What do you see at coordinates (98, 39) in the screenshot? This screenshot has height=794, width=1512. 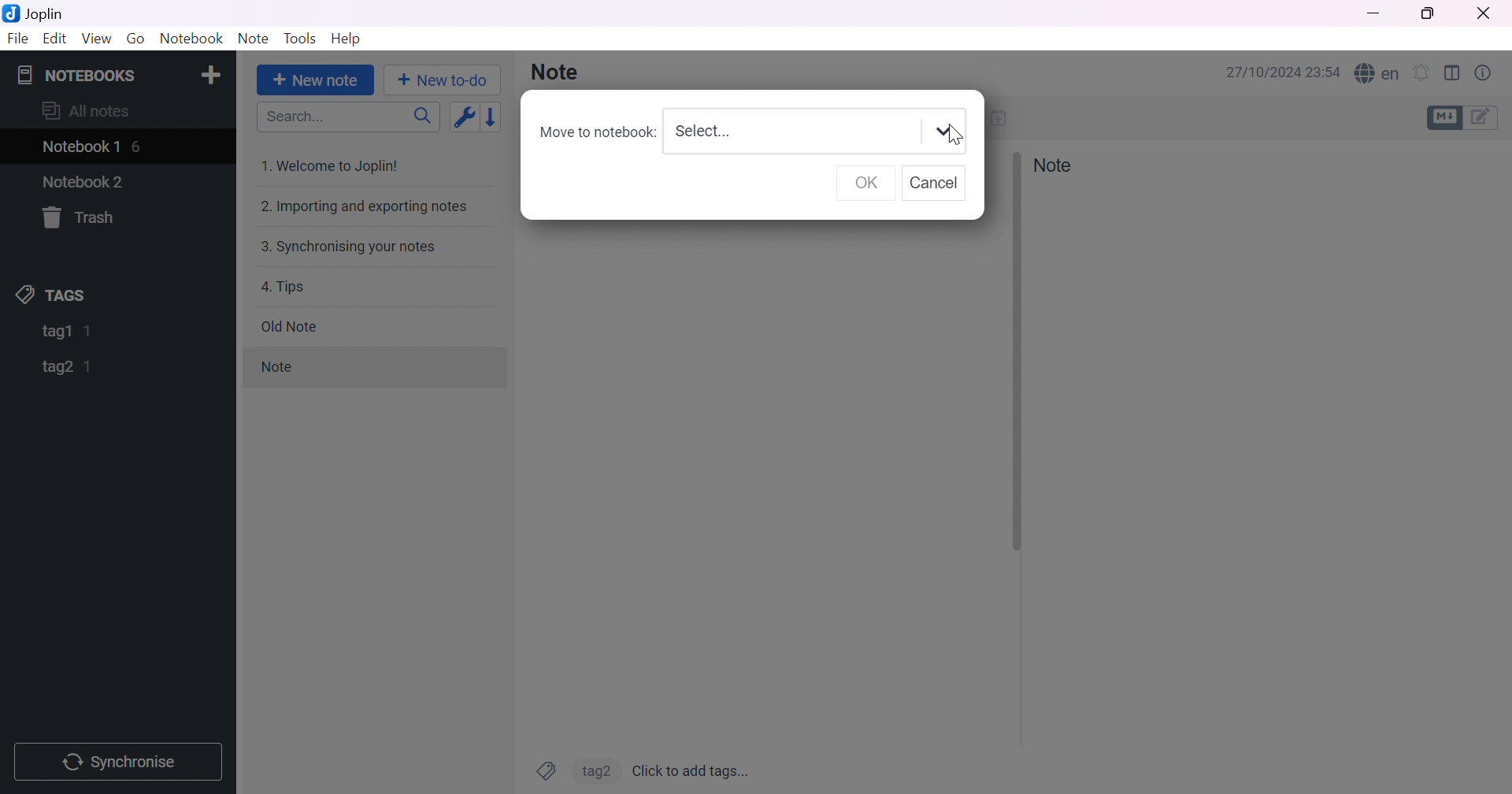 I see `View` at bounding box center [98, 39].